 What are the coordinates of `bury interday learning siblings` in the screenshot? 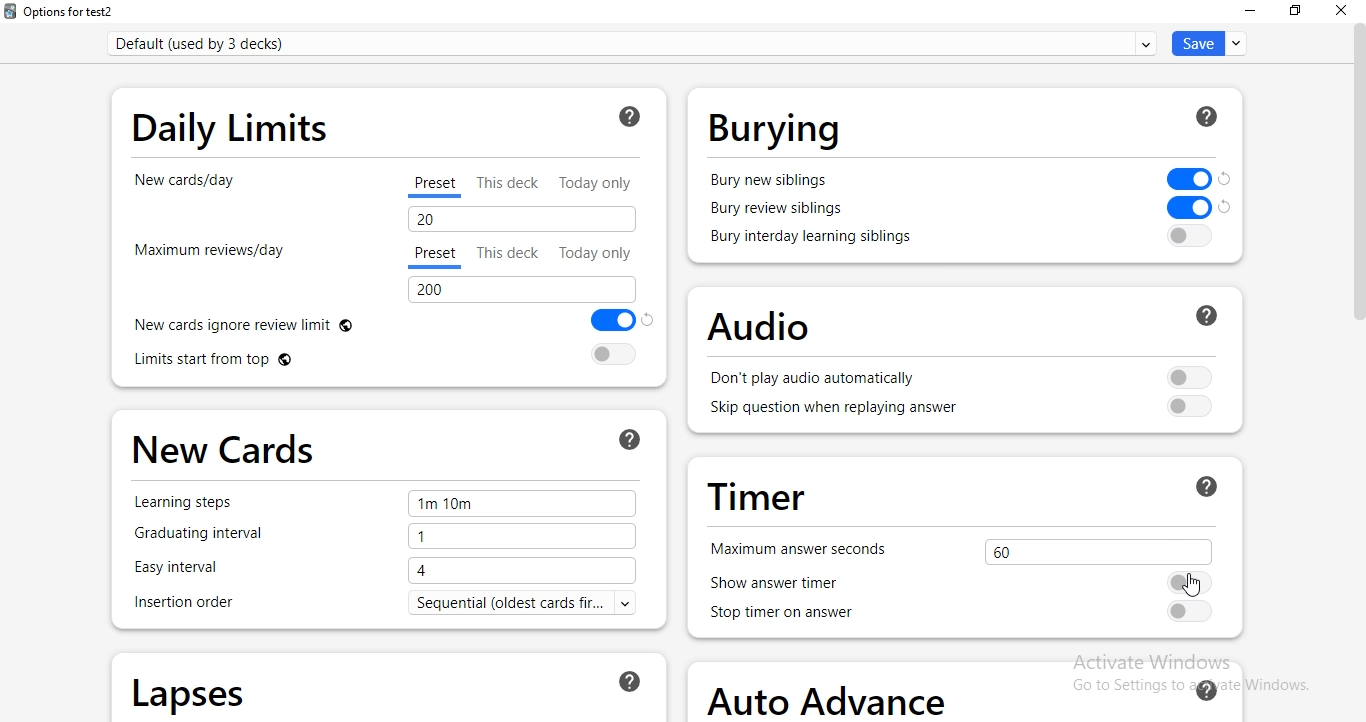 It's located at (937, 241).